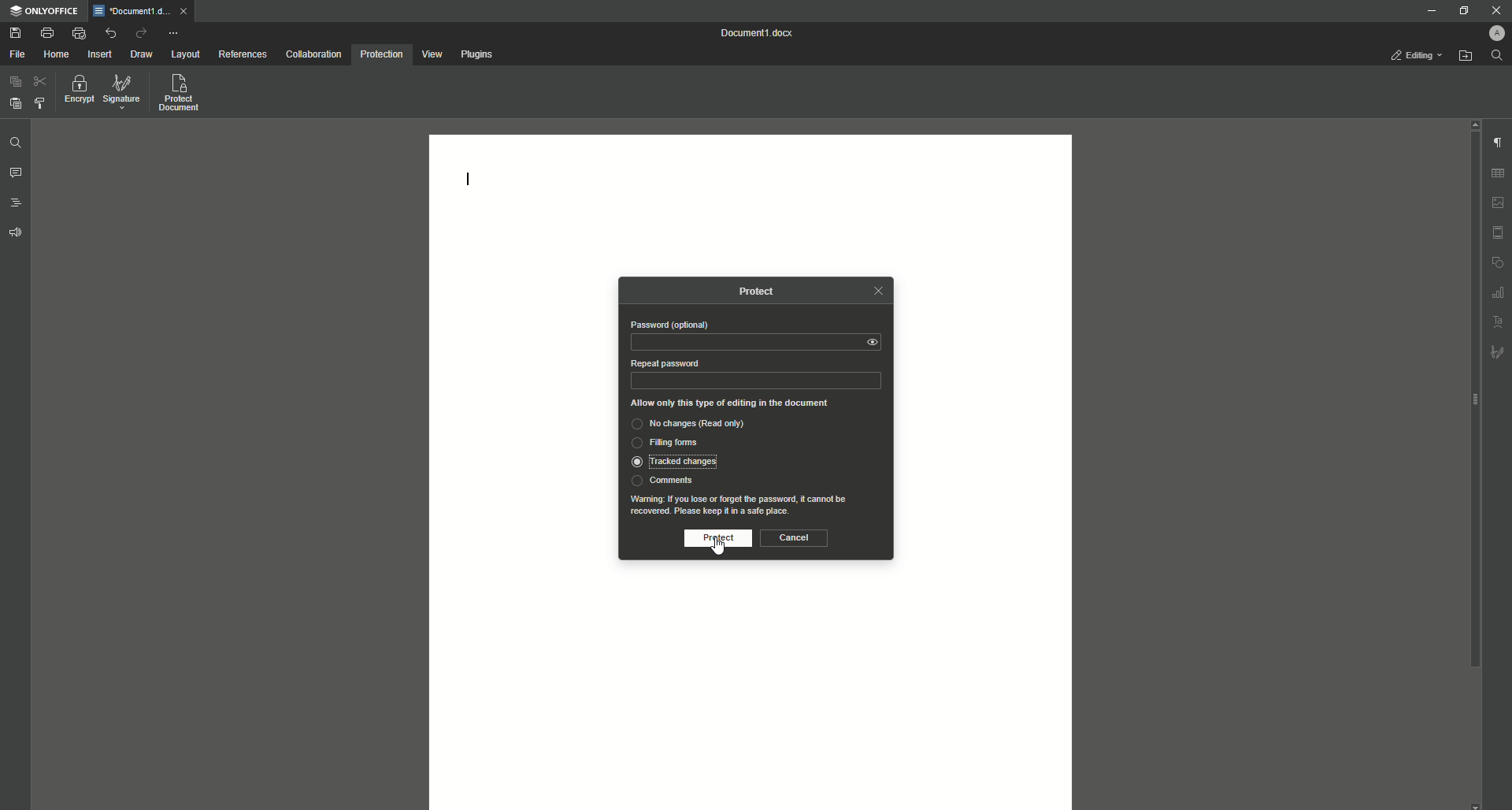  I want to click on Plugins, so click(476, 54).